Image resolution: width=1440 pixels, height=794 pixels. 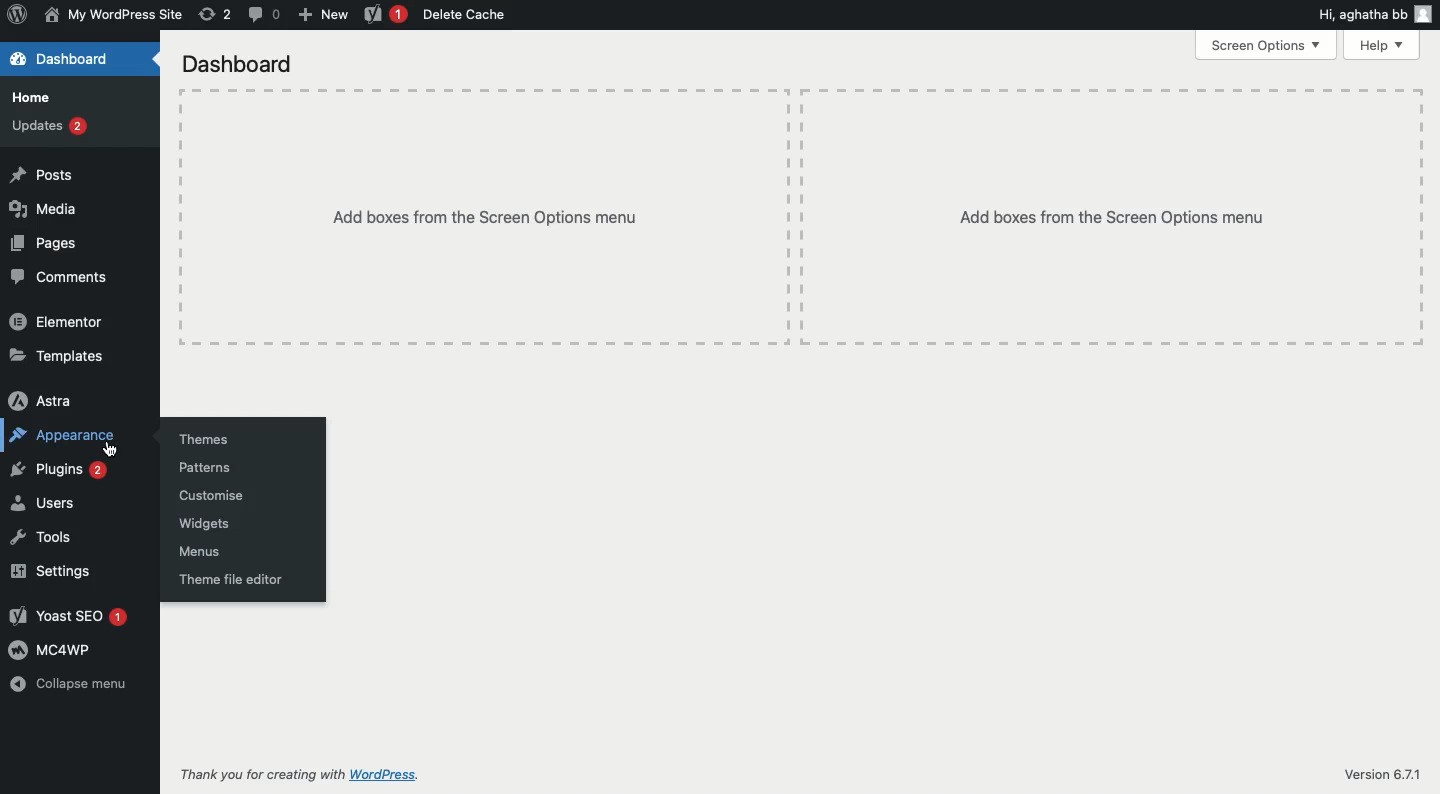 I want to click on Version 6.71, so click(x=1381, y=775).